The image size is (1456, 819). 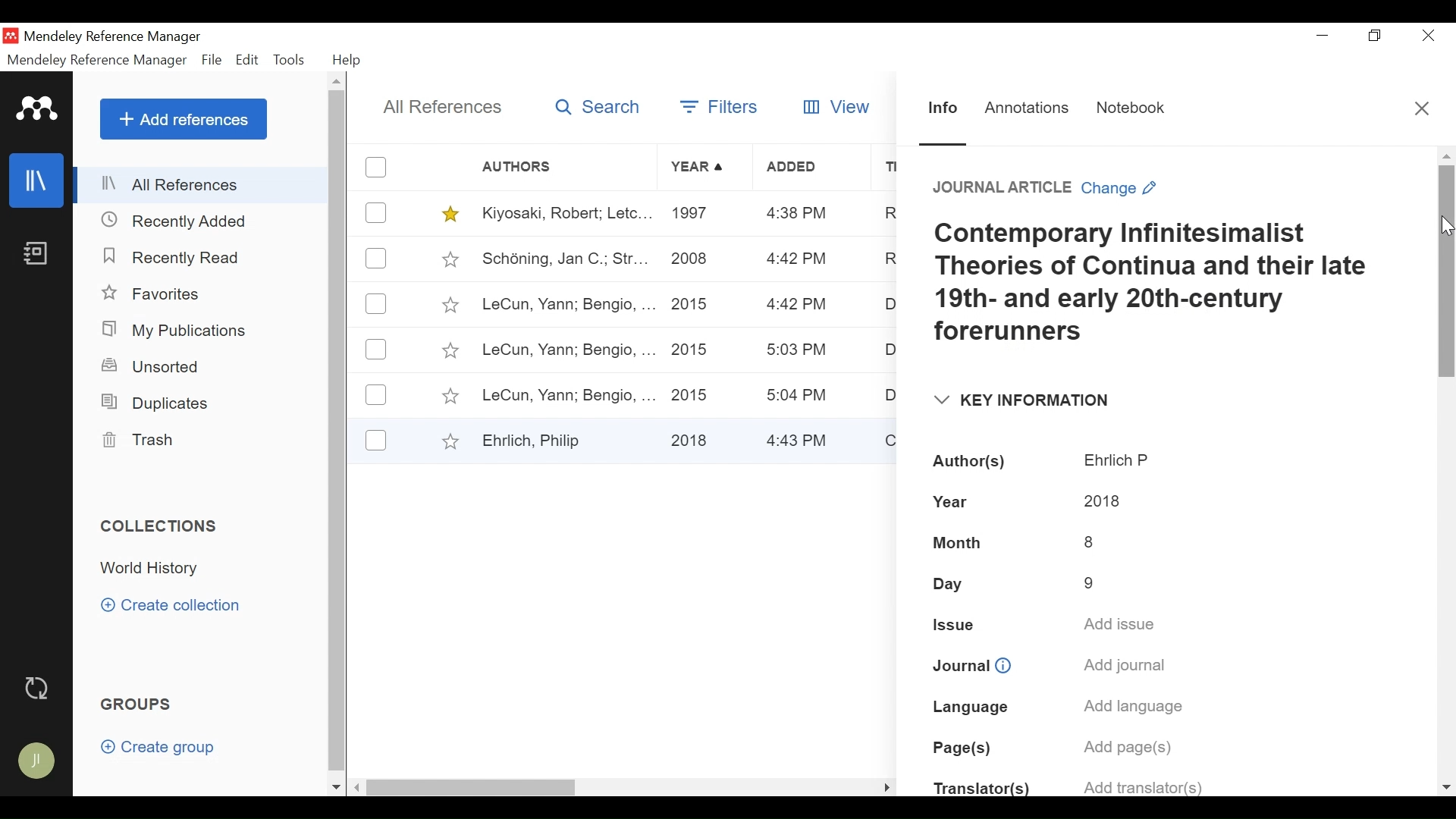 What do you see at coordinates (161, 527) in the screenshot?
I see `Collections` at bounding box center [161, 527].